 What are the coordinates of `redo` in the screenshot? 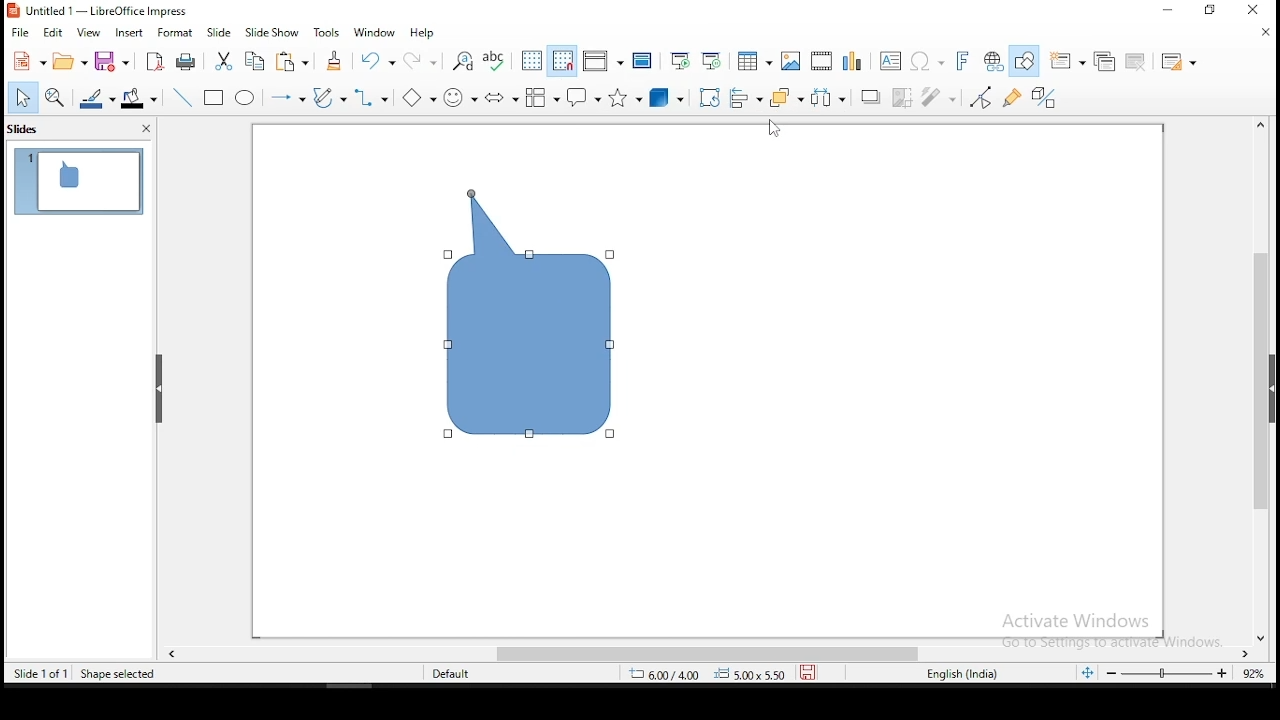 It's located at (425, 61).